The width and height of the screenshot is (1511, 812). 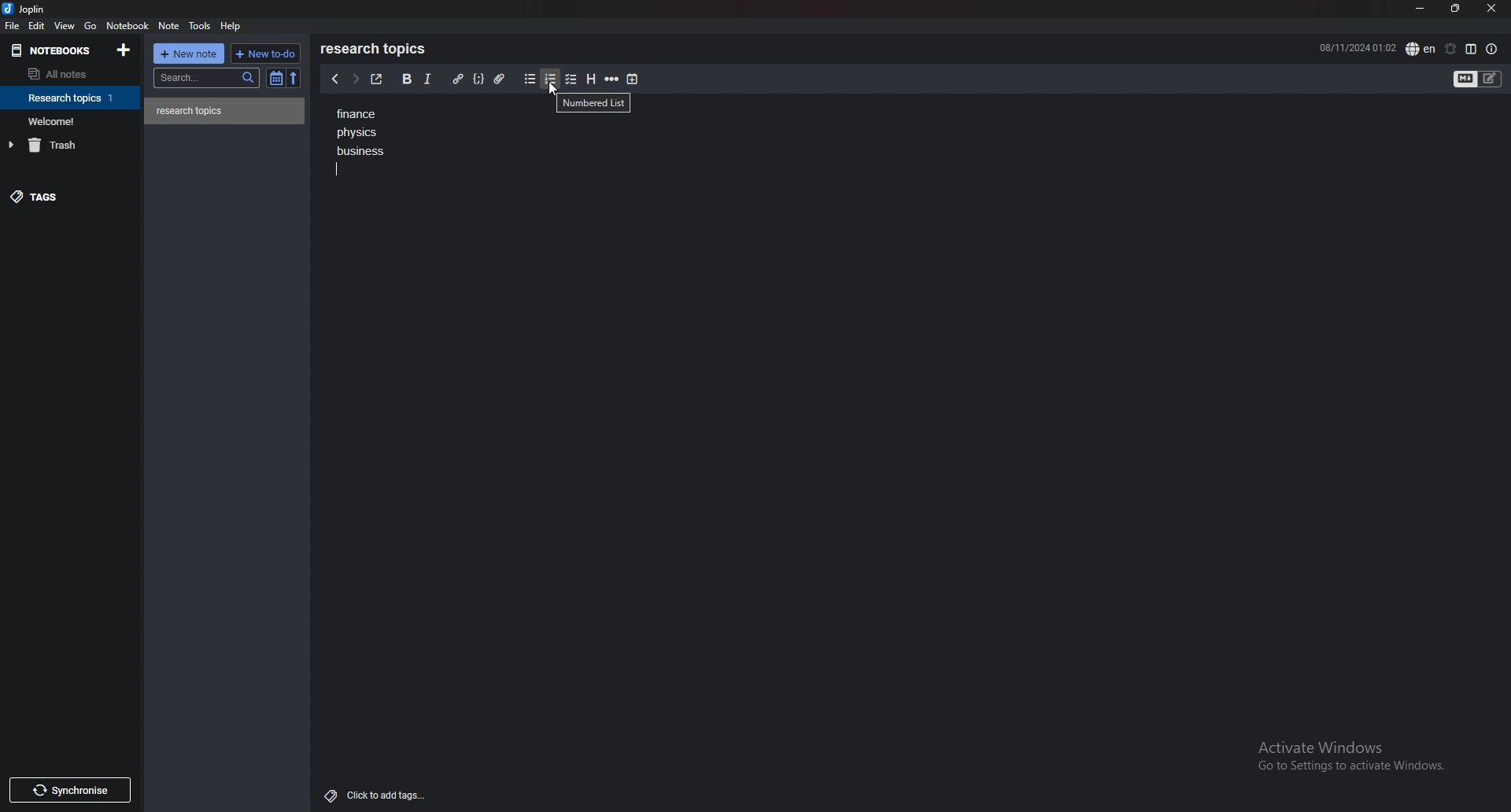 What do you see at coordinates (613, 79) in the screenshot?
I see `horizontal rule` at bounding box center [613, 79].